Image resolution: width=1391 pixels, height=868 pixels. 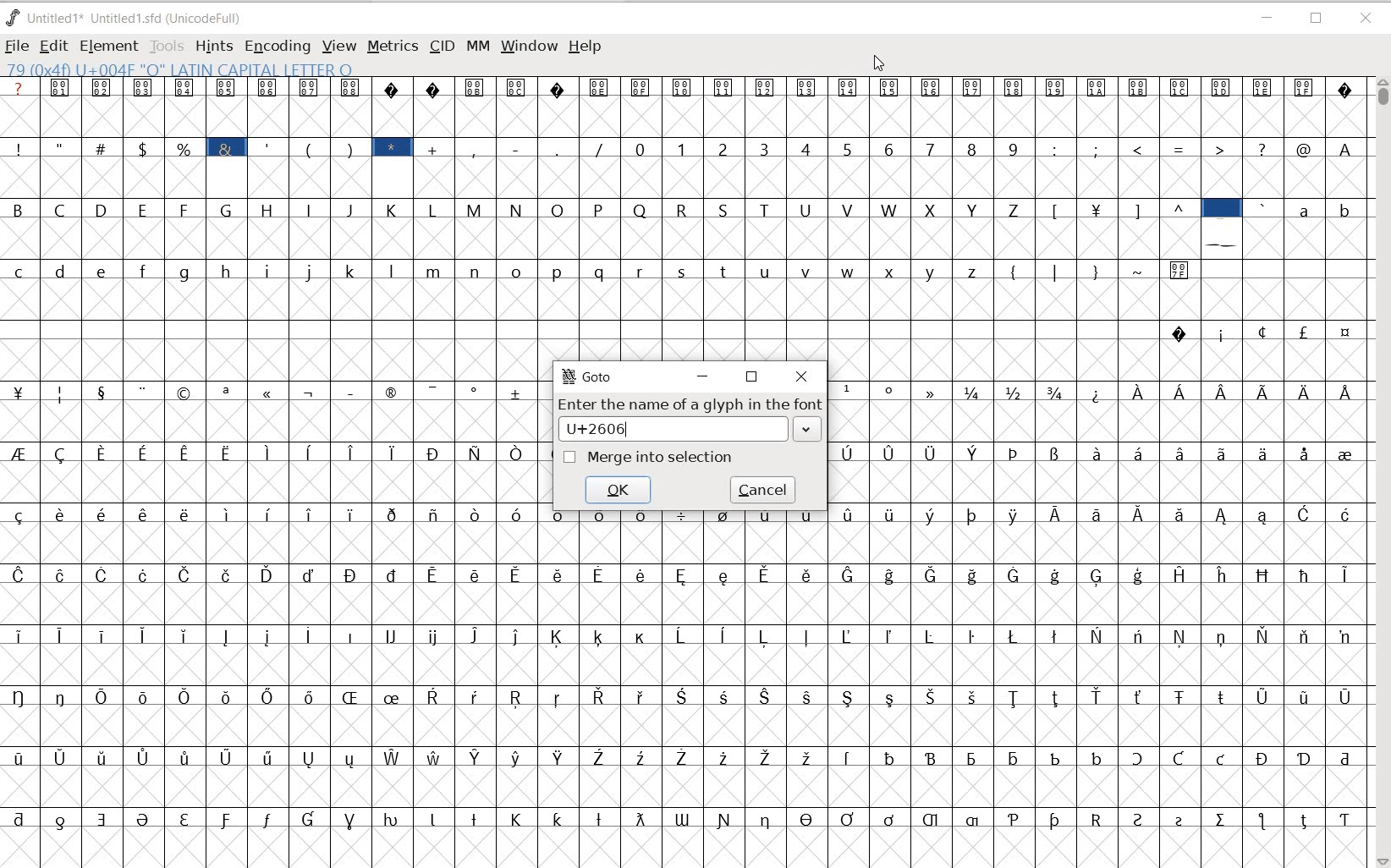 What do you see at coordinates (1267, 18) in the screenshot?
I see `MINIMIZE` at bounding box center [1267, 18].